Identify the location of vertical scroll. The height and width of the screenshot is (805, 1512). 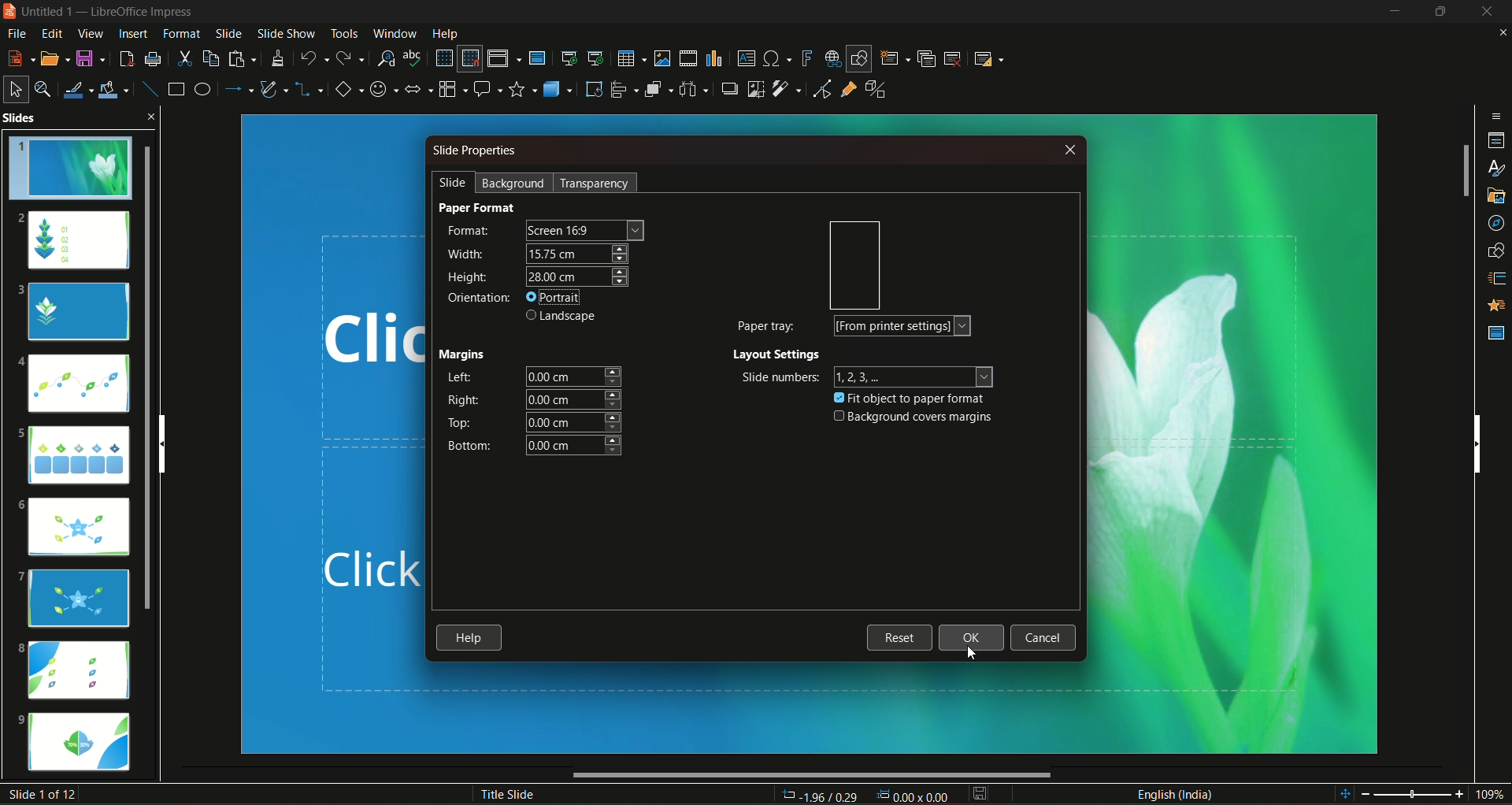
(174, 443).